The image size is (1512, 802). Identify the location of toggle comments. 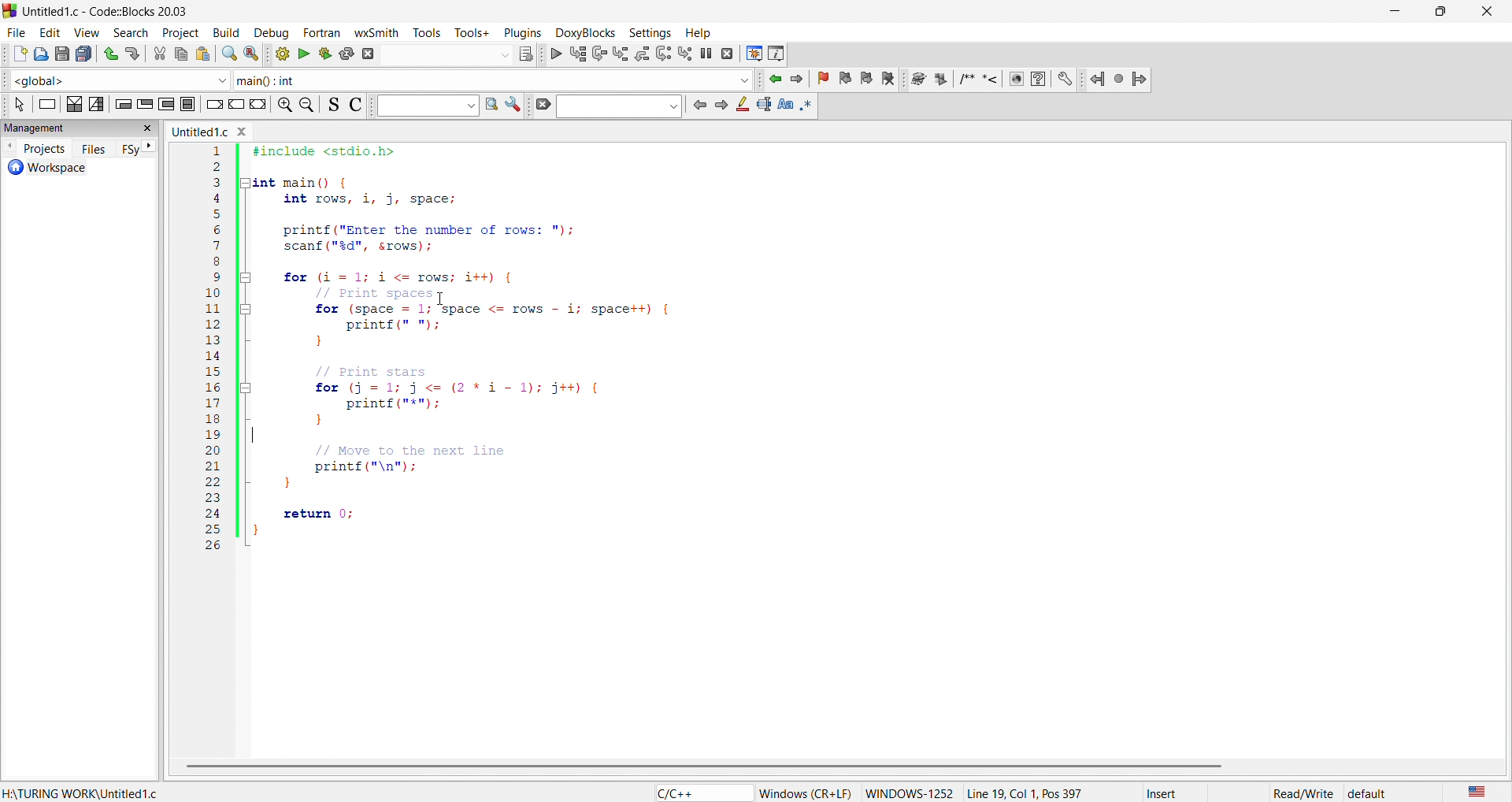
(354, 106).